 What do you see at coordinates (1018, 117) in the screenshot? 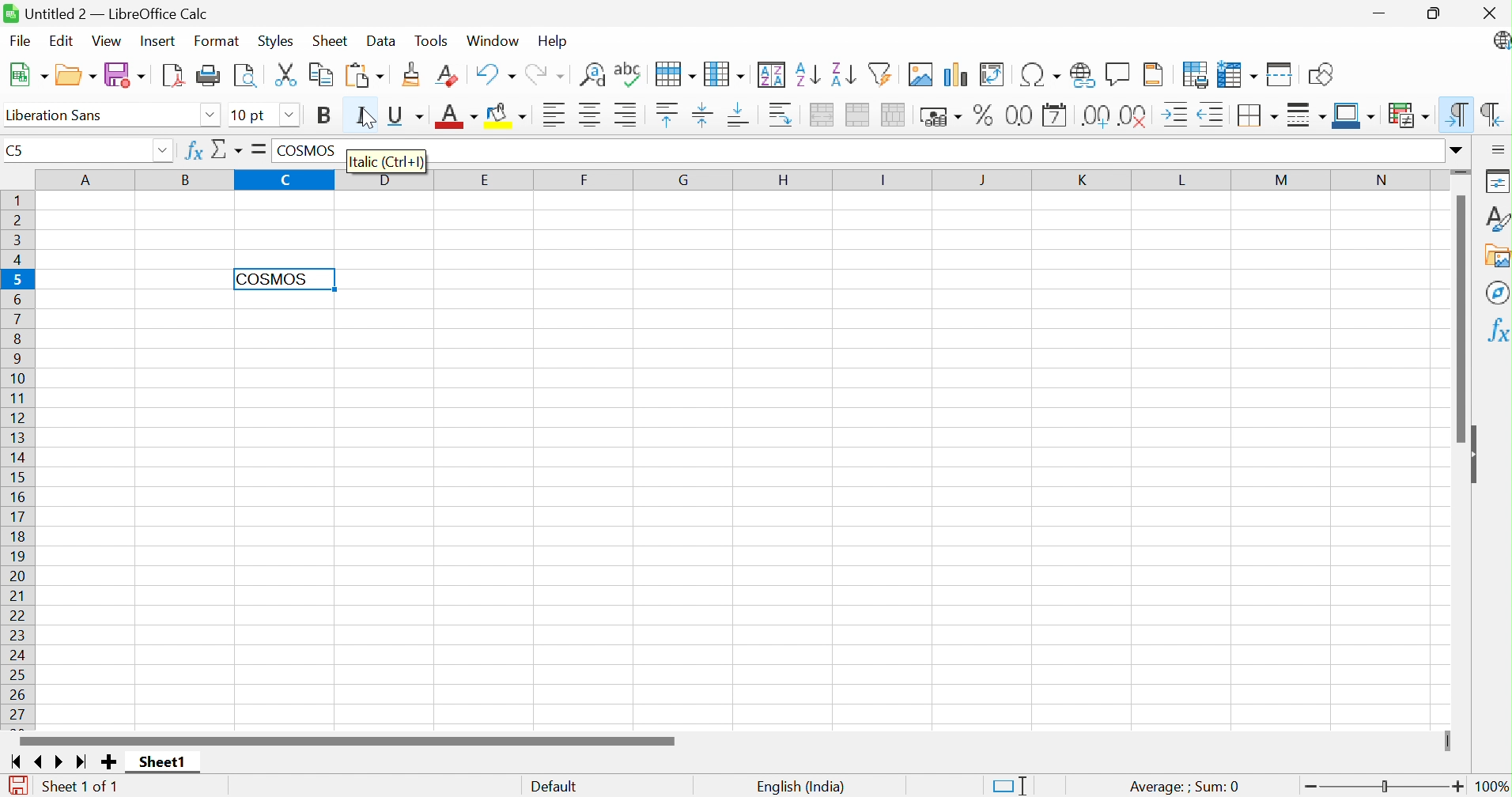
I see `Format as number` at bounding box center [1018, 117].